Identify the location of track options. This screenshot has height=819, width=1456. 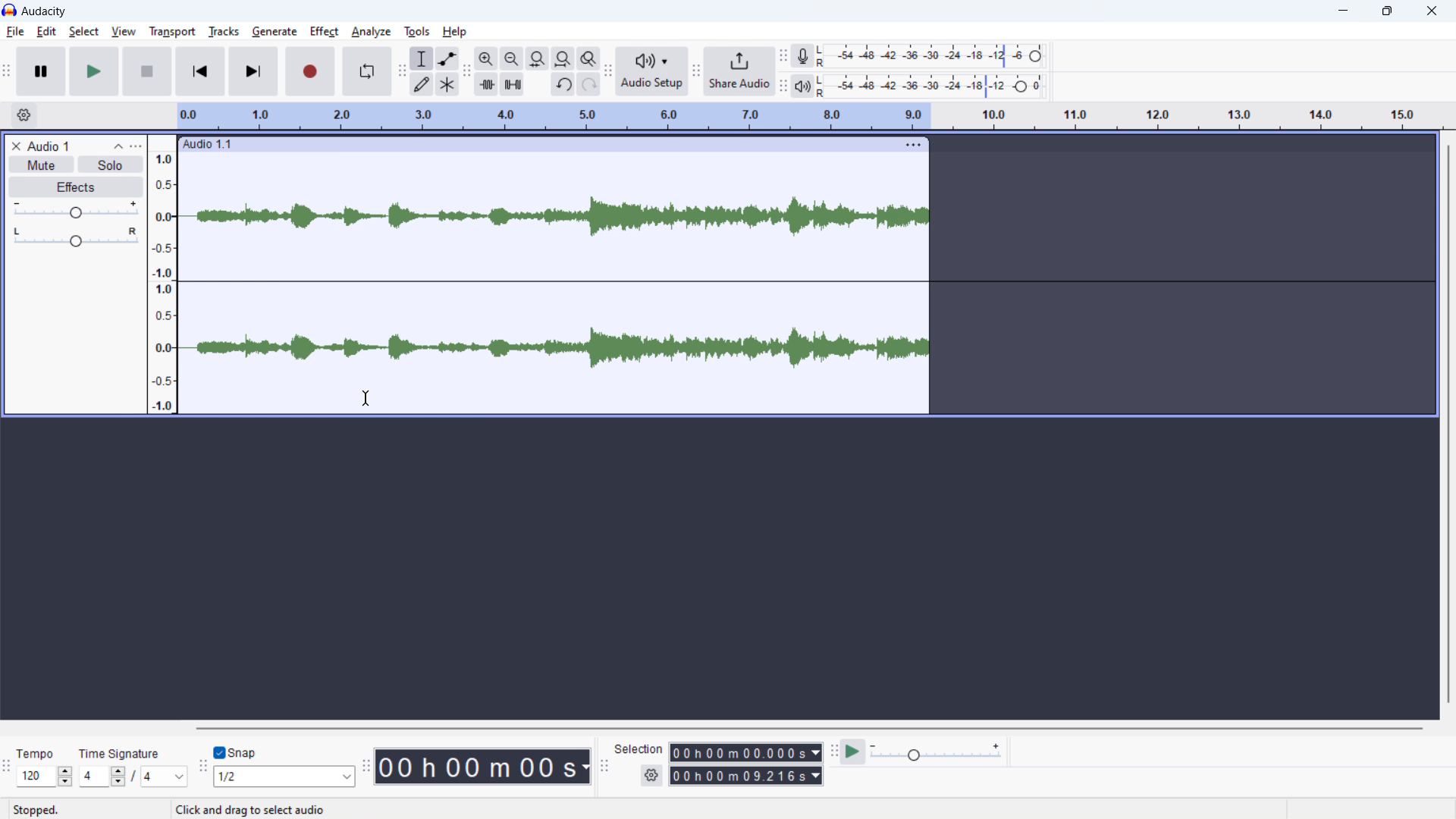
(915, 145).